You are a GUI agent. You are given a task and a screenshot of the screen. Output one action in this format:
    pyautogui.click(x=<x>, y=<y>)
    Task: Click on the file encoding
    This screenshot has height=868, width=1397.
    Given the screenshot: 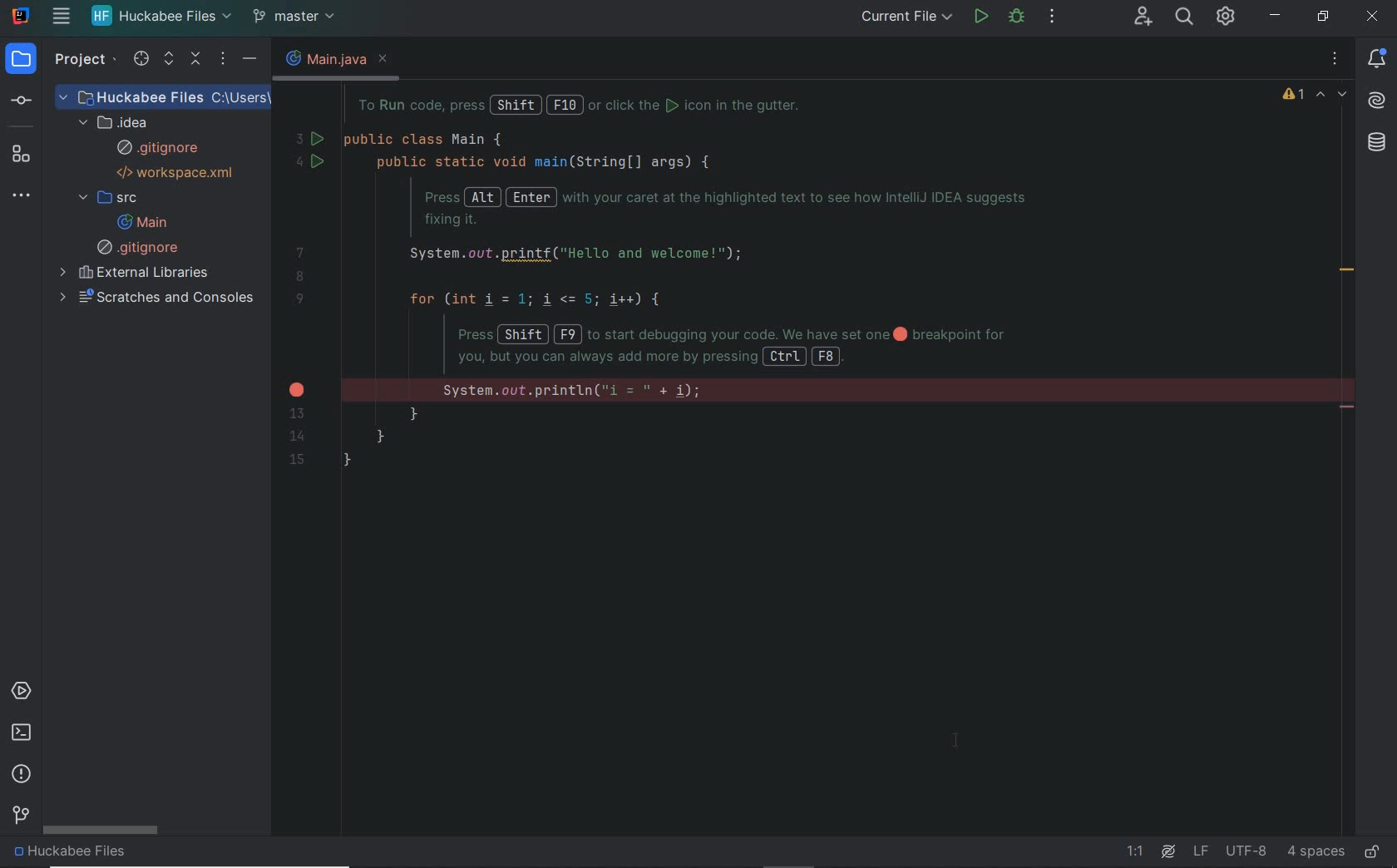 What is the action you would take?
    pyautogui.click(x=1246, y=851)
    